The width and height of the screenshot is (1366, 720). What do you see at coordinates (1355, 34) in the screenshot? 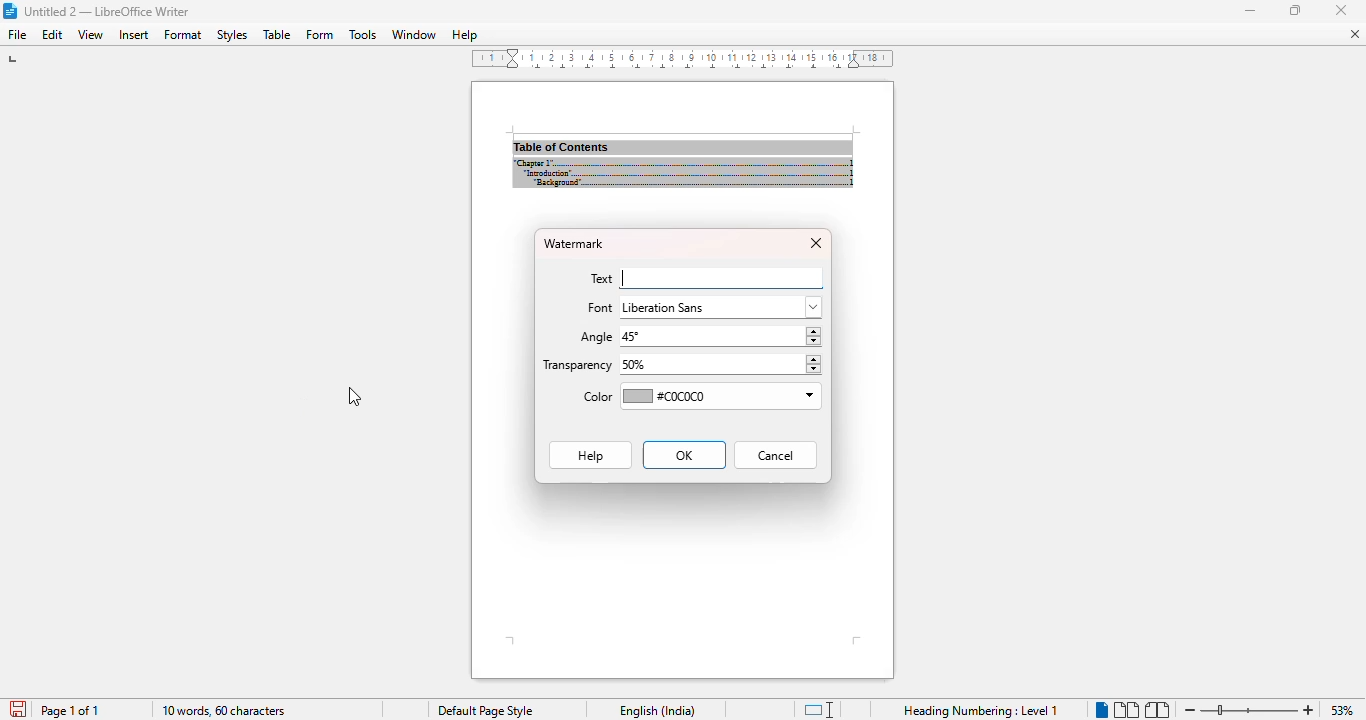
I see `close document` at bounding box center [1355, 34].